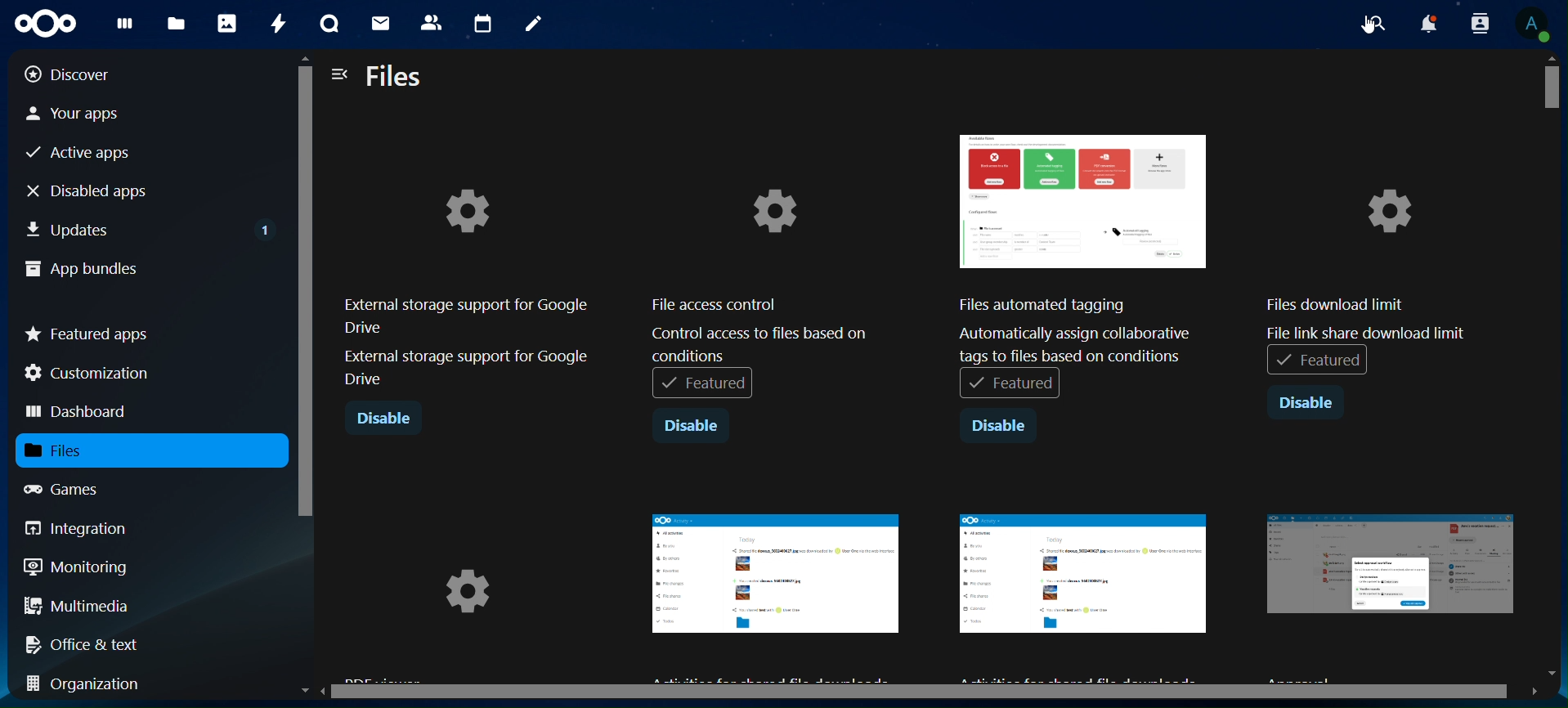 The width and height of the screenshot is (1568, 708). Describe the element at coordinates (1428, 26) in the screenshot. I see `notifications` at that location.